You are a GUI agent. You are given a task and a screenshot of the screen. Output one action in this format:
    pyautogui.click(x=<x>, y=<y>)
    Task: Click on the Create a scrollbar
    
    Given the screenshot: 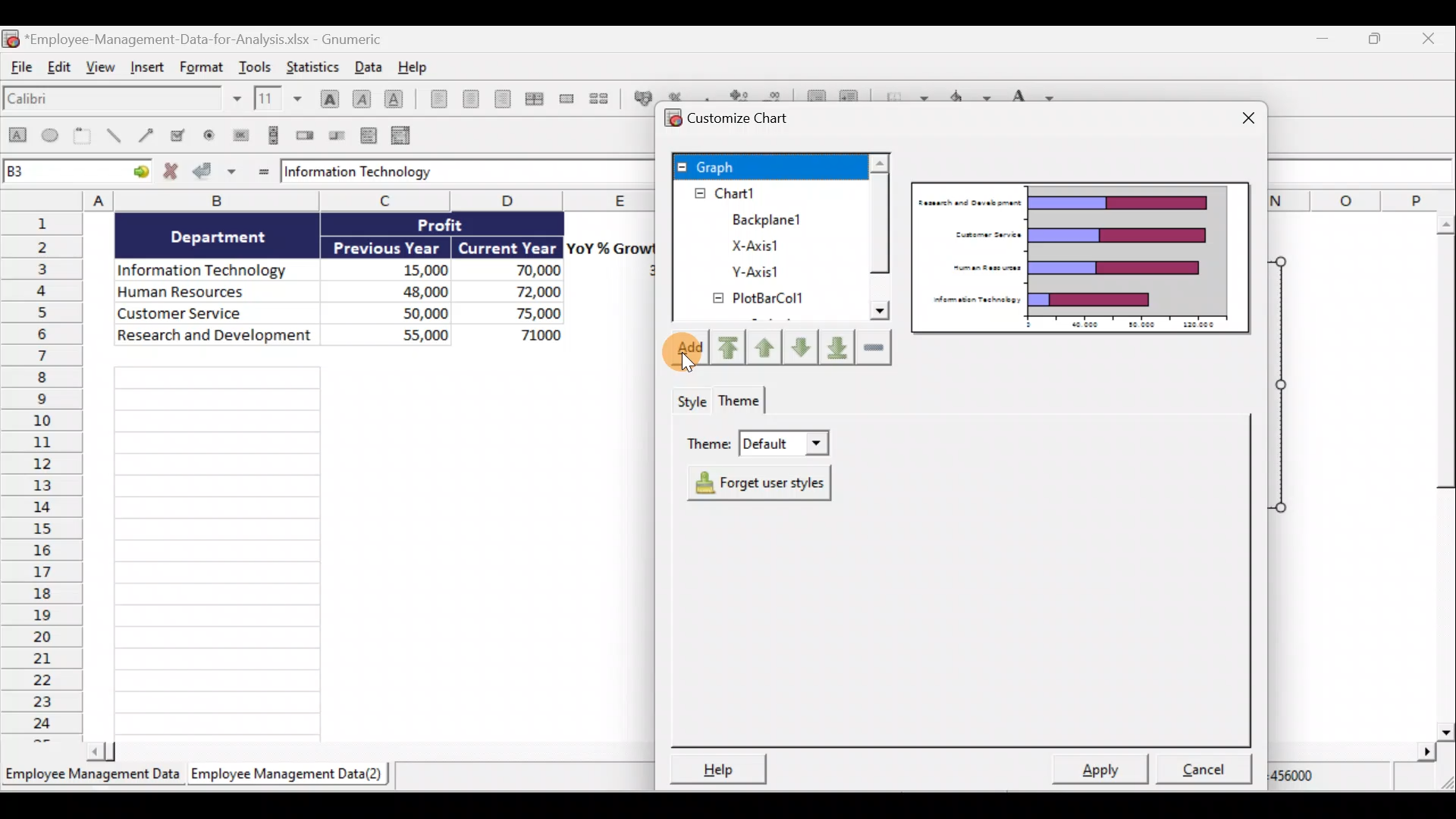 What is the action you would take?
    pyautogui.click(x=271, y=135)
    